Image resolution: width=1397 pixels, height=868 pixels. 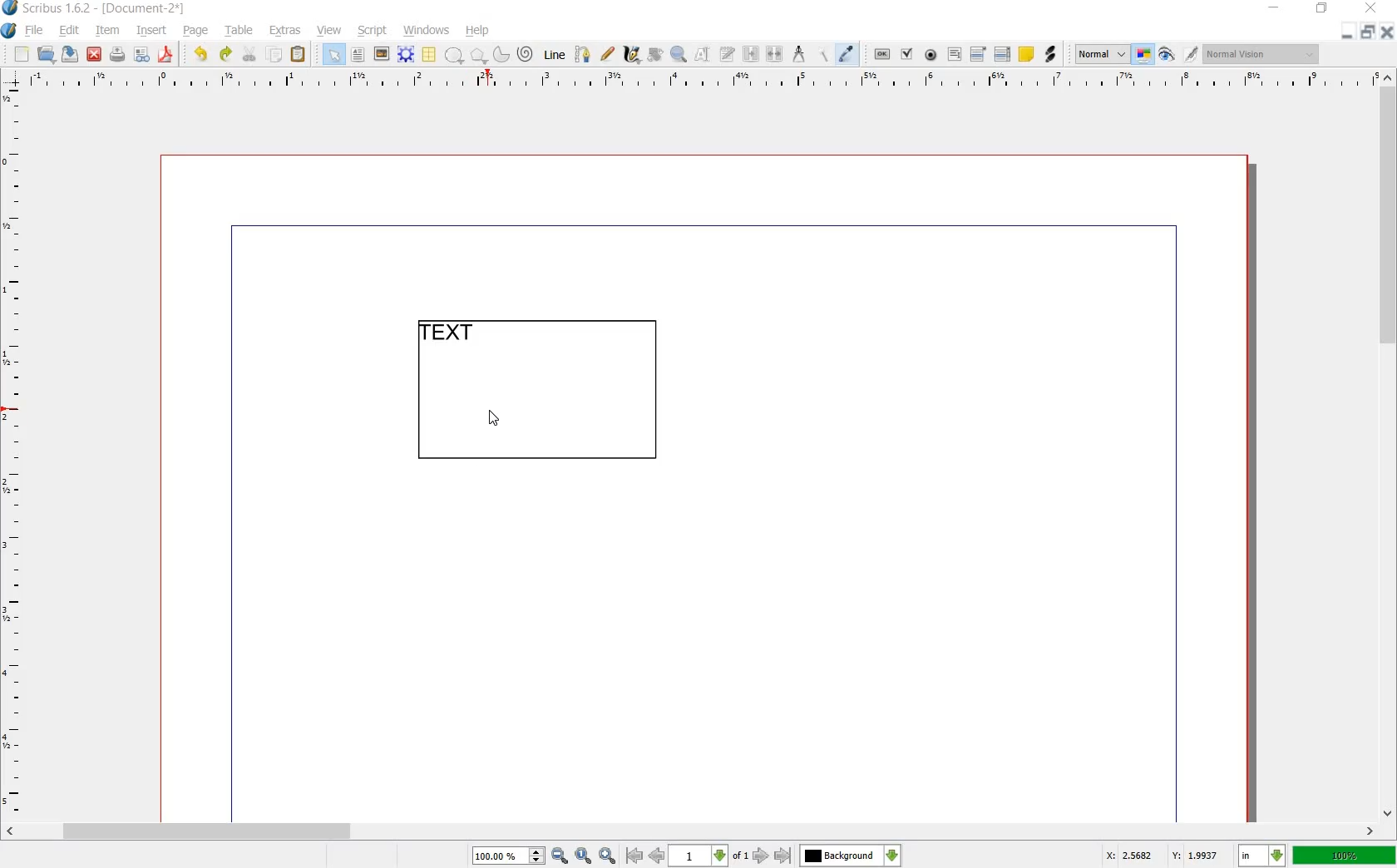 I want to click on toggle color management system, so click(x=1144, y=55).